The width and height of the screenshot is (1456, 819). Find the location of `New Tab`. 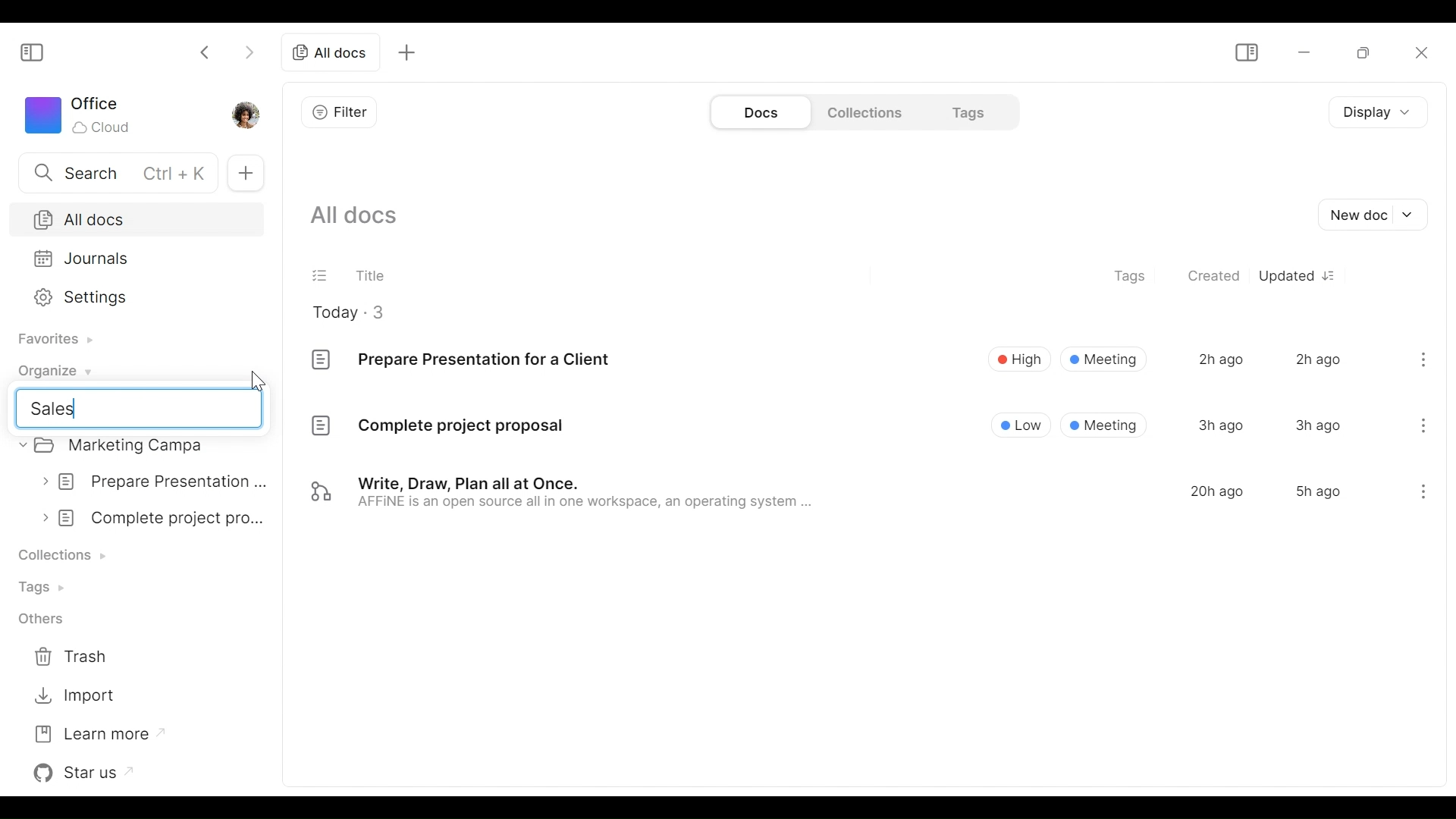

New Tab is located at coordinates (246, 174).